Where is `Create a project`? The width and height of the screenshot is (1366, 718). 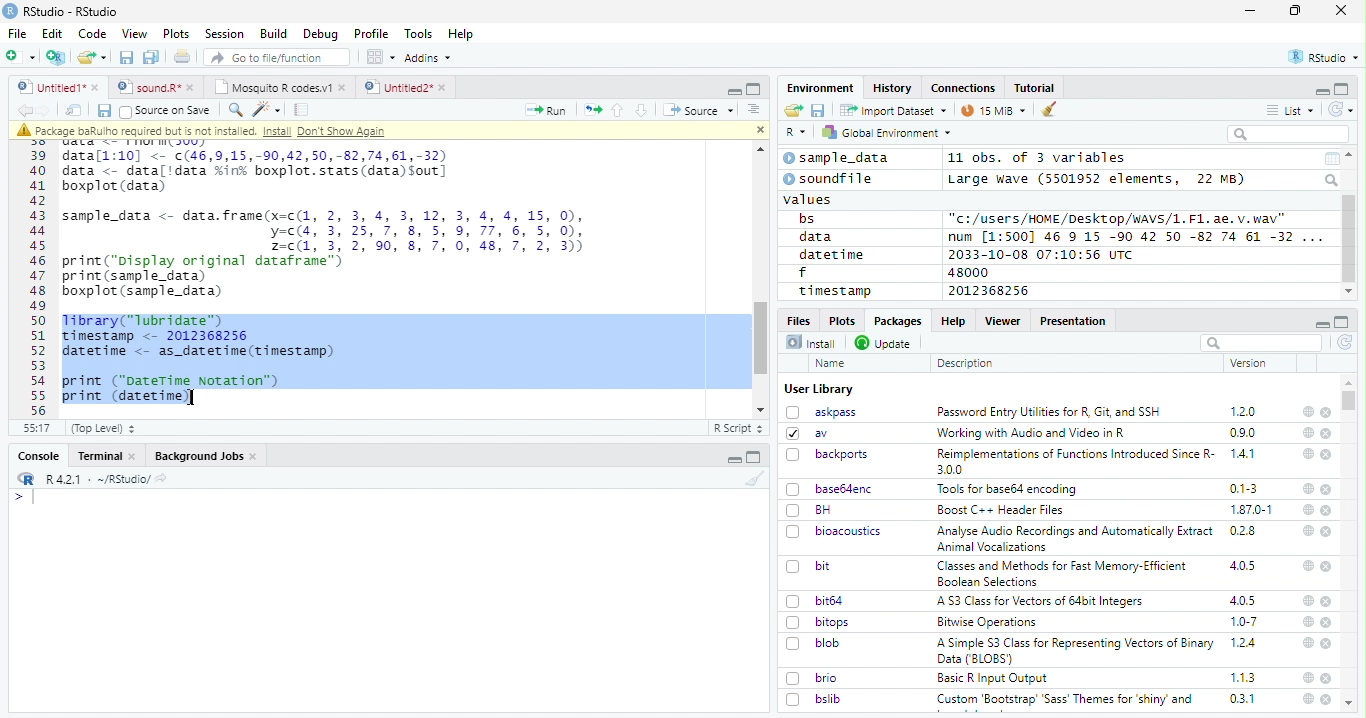 Create a project is located at coordinates (56, 57).